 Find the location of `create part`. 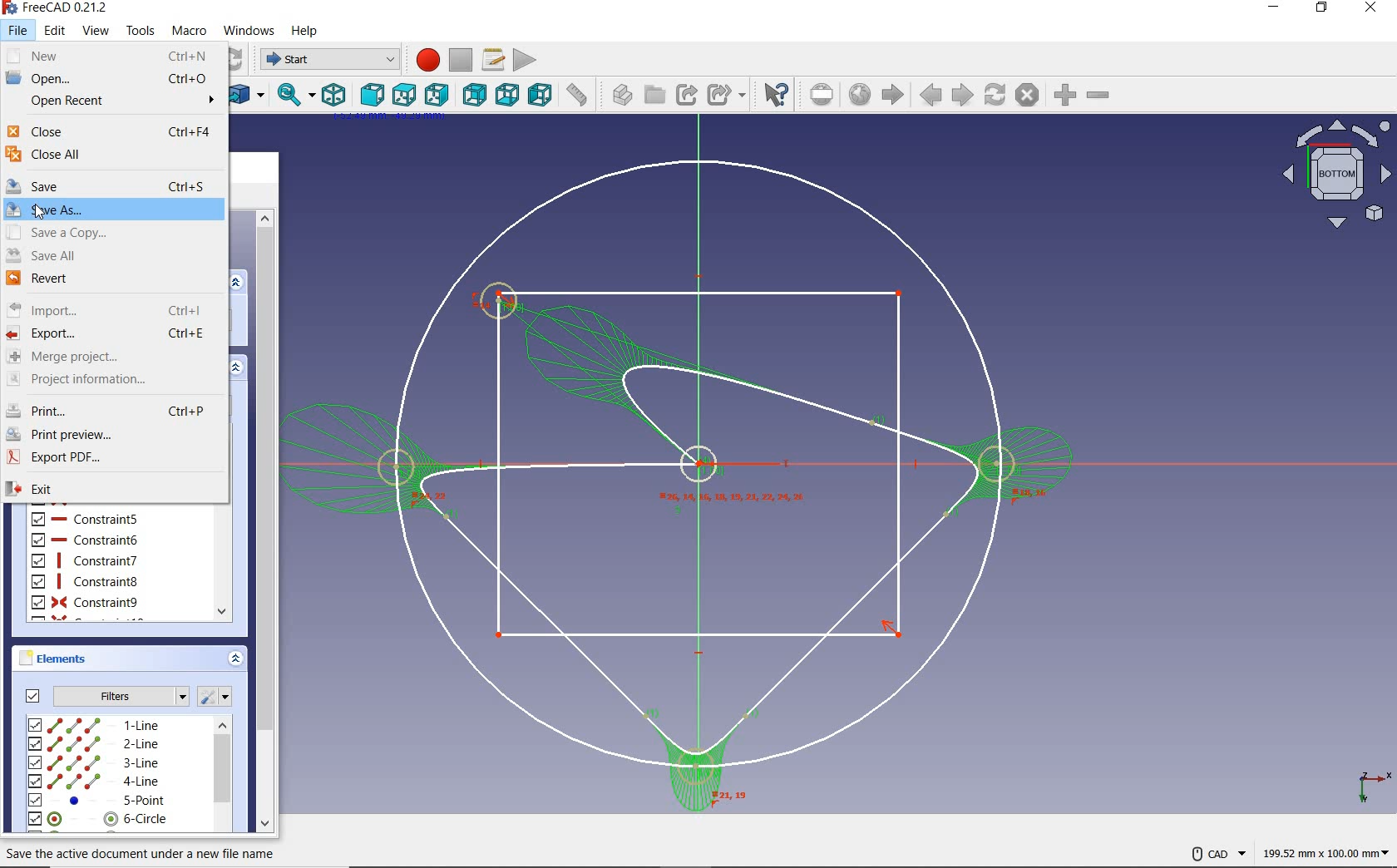

create part is located at coordinates (618, 94).